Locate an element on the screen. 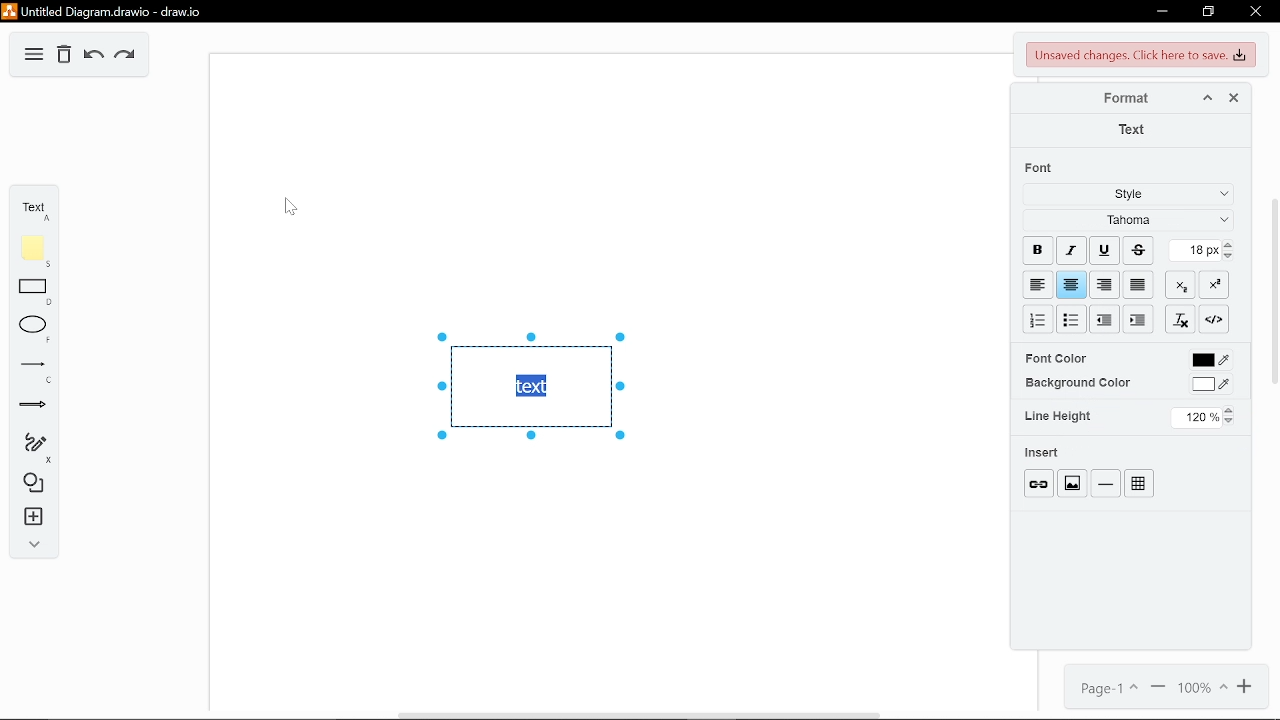  delete is located at coordinates (64, 55).